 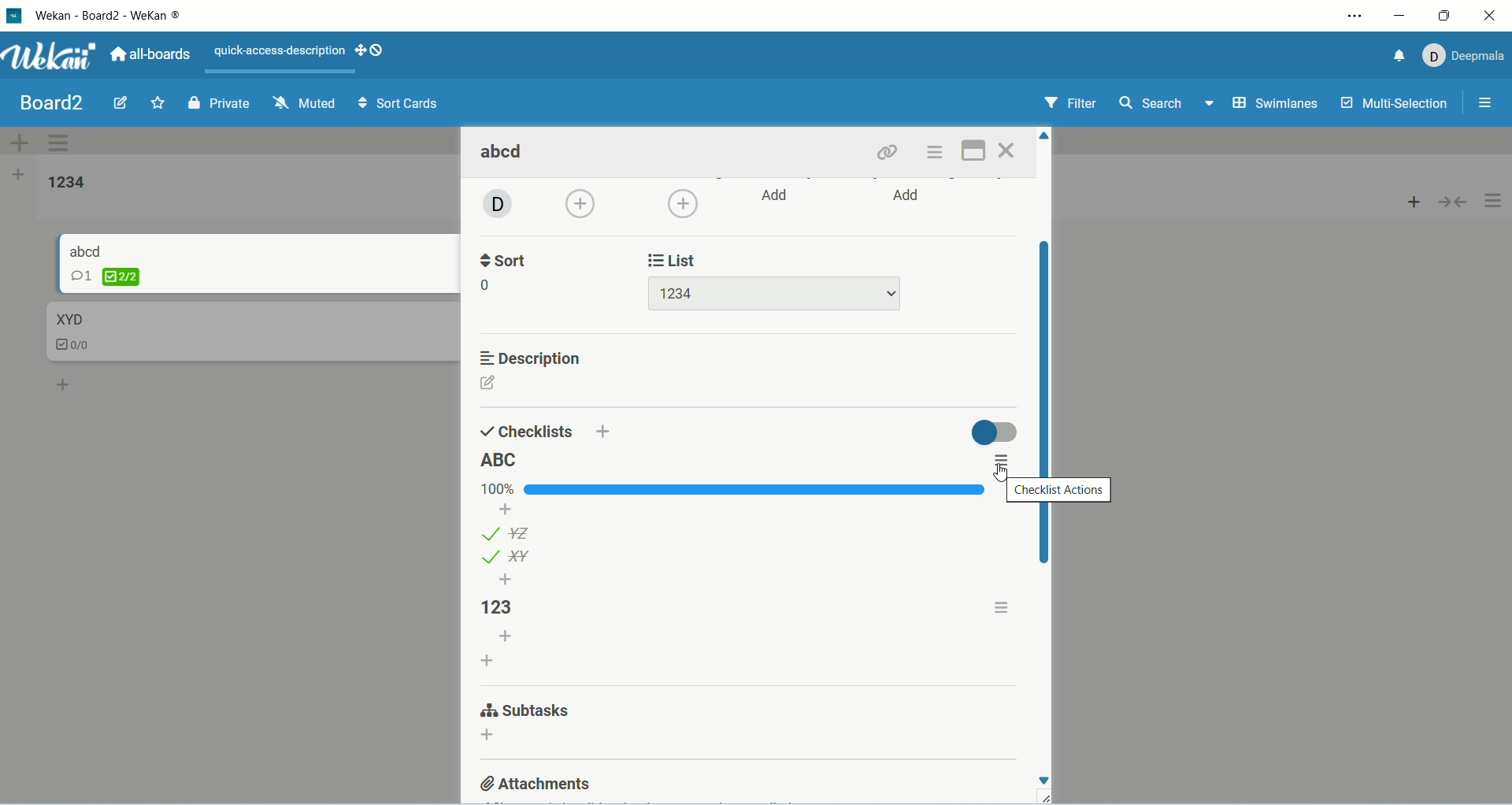 What do you see at coordinates (1274, 104) in the screenshot?
I see `swimlanes` at bounding box center [1274, 104].